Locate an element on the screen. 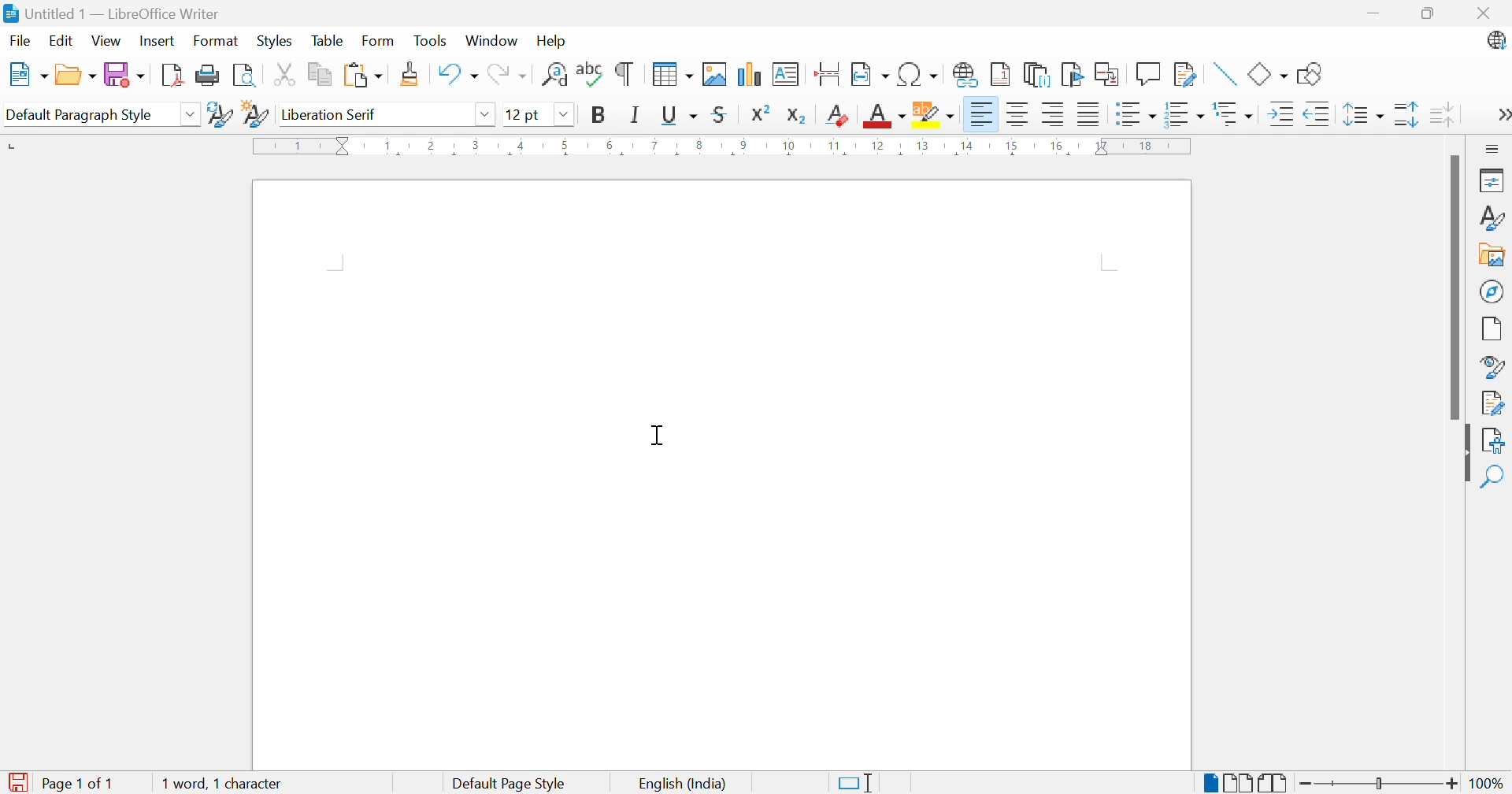  Default Page Style is located at coordinates (513, 784).